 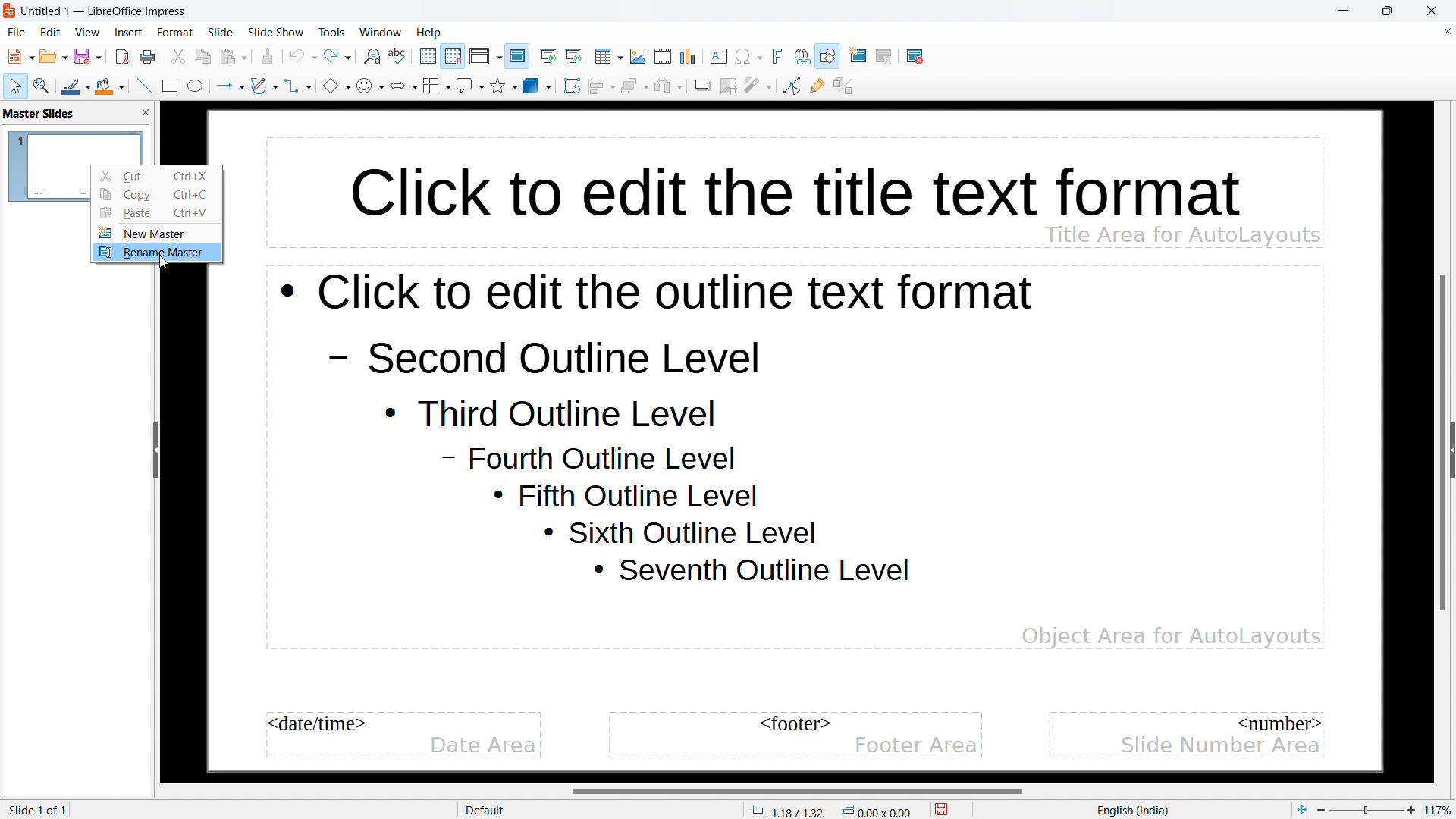 What do you see at coordinates (487, 810) in the screenshot?
I see `Default` at bounding box center [487, 810].